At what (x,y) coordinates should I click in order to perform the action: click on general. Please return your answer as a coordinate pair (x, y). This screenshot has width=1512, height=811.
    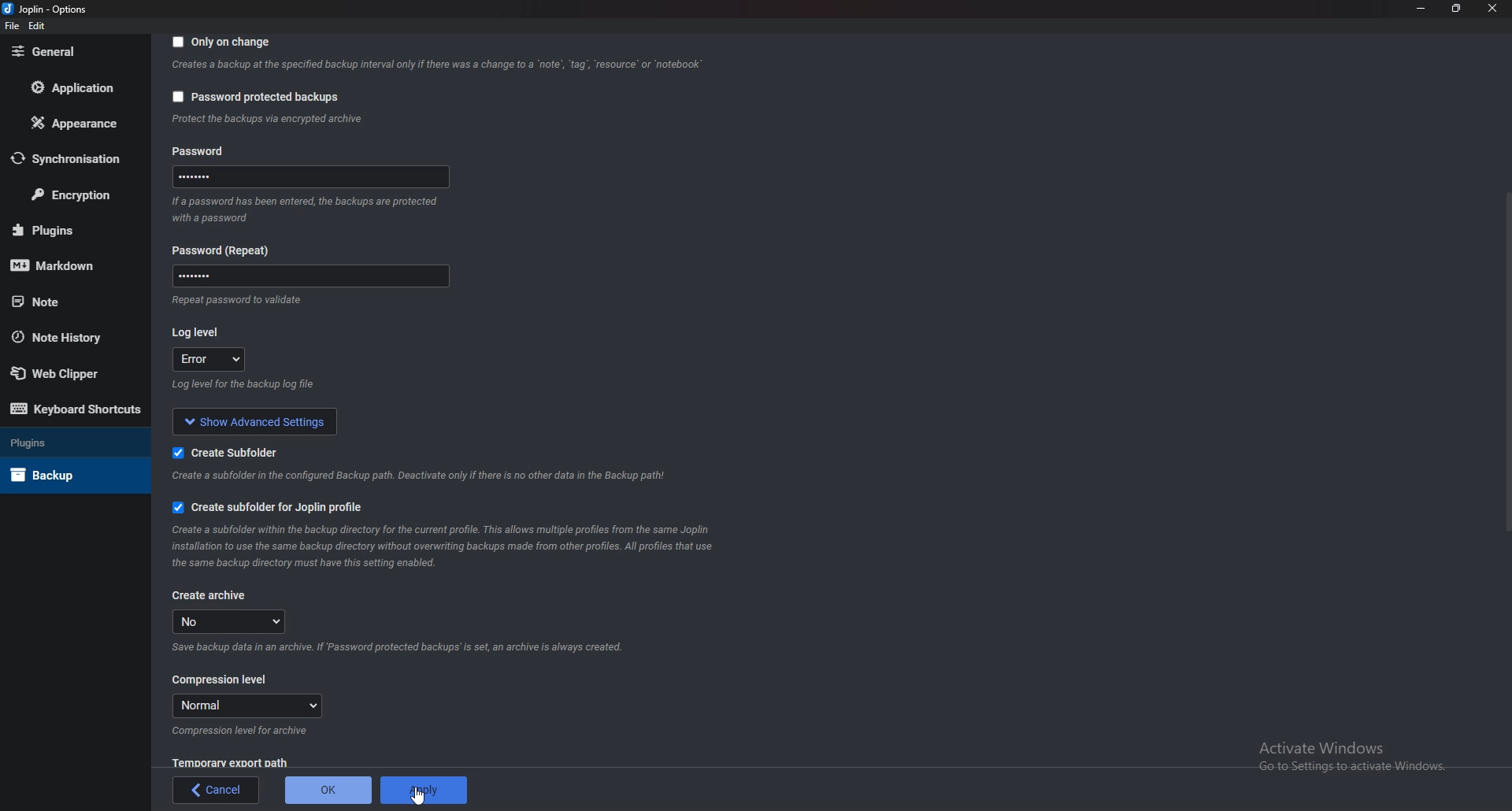
    Looking at the image, I should click on (68, 52).